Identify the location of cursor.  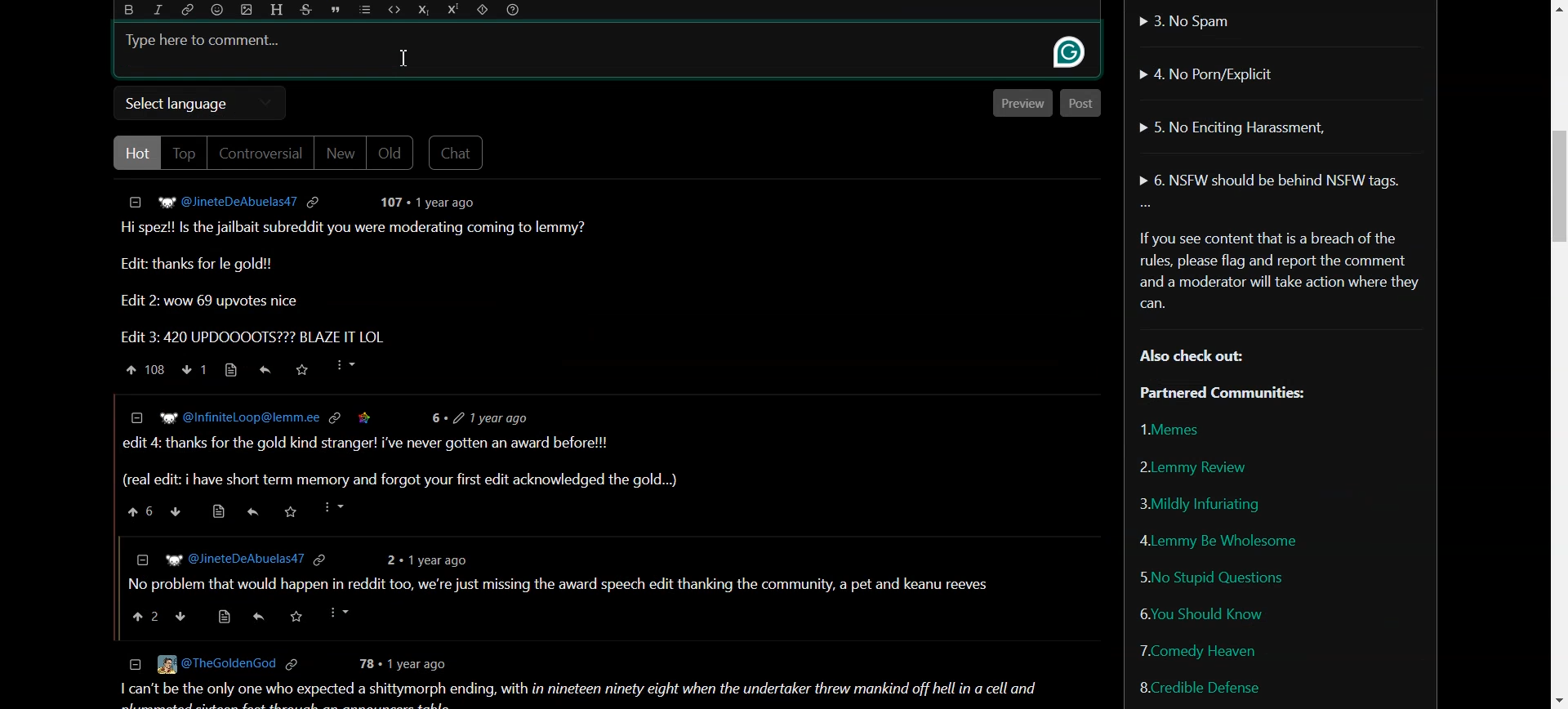
(407, 57).